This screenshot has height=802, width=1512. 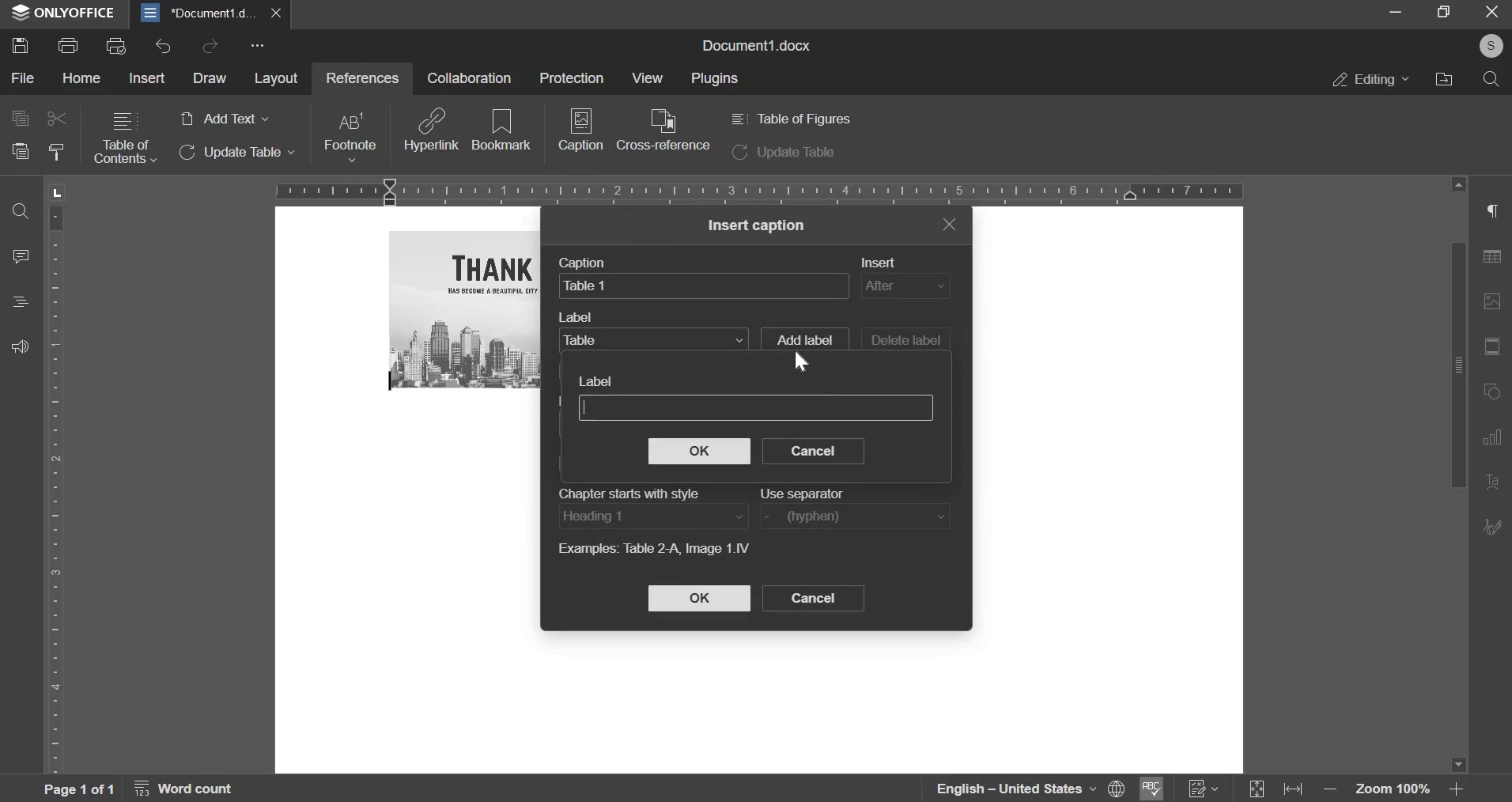 What do you see at coordinates (19, 151) in the screenshot?
I see `paste` at bounding box center [19, 151].